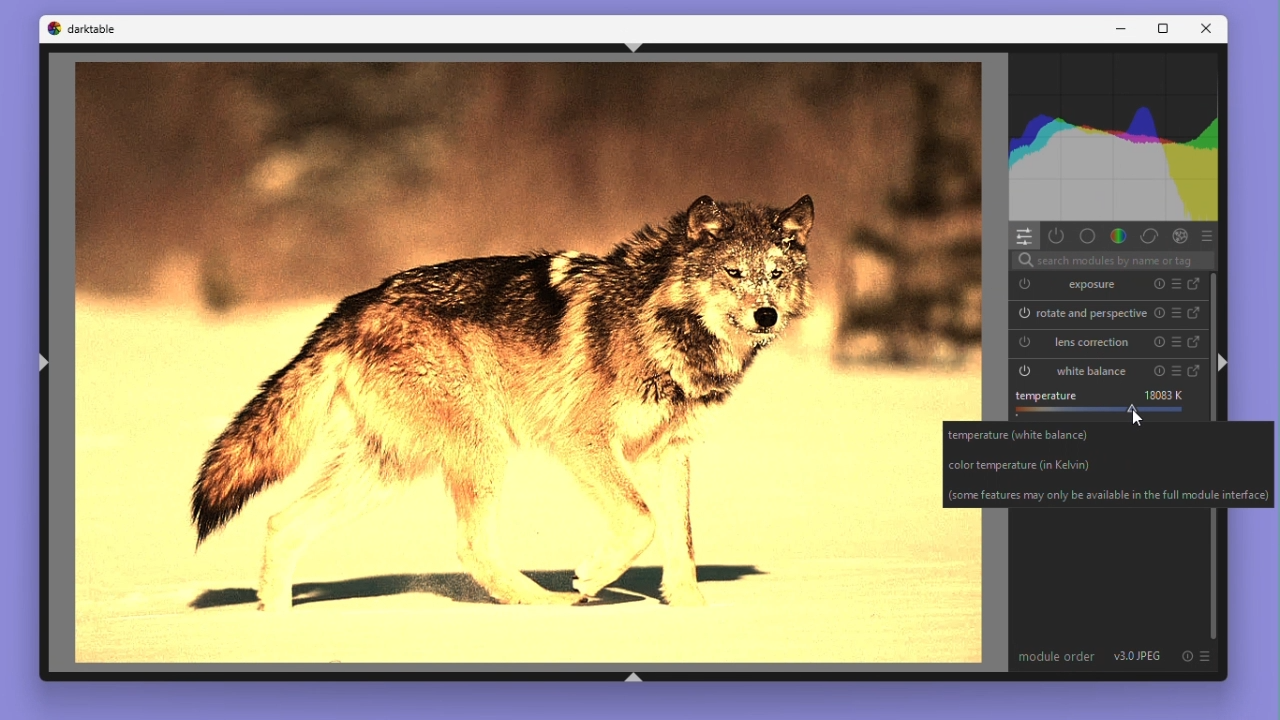  I want to click on Reset, so click(1154, 369).